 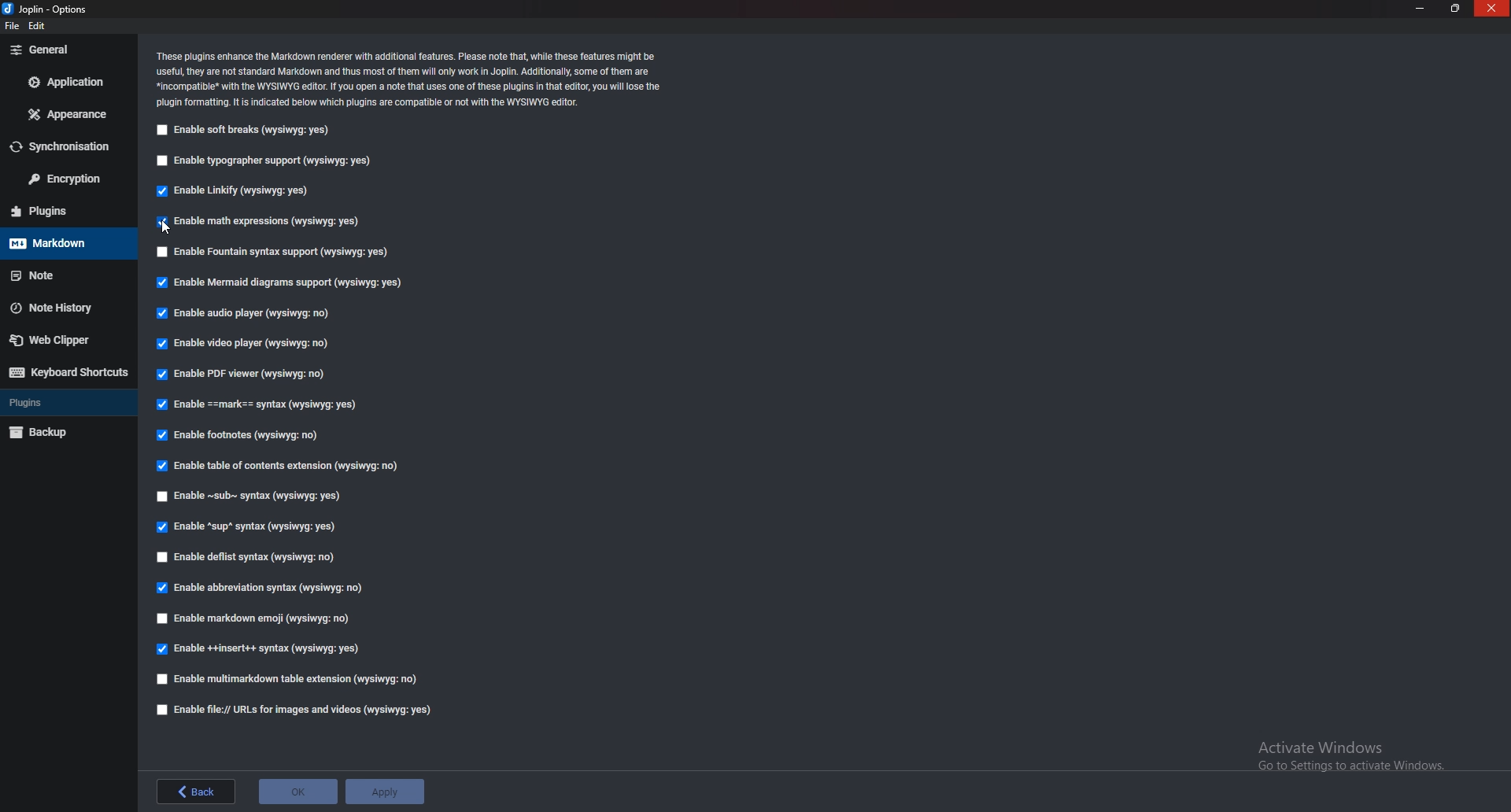 What do you see at coordinates (1454, 8) in the screenshot?
I see `Resize` at bounding box center [1454, 8].